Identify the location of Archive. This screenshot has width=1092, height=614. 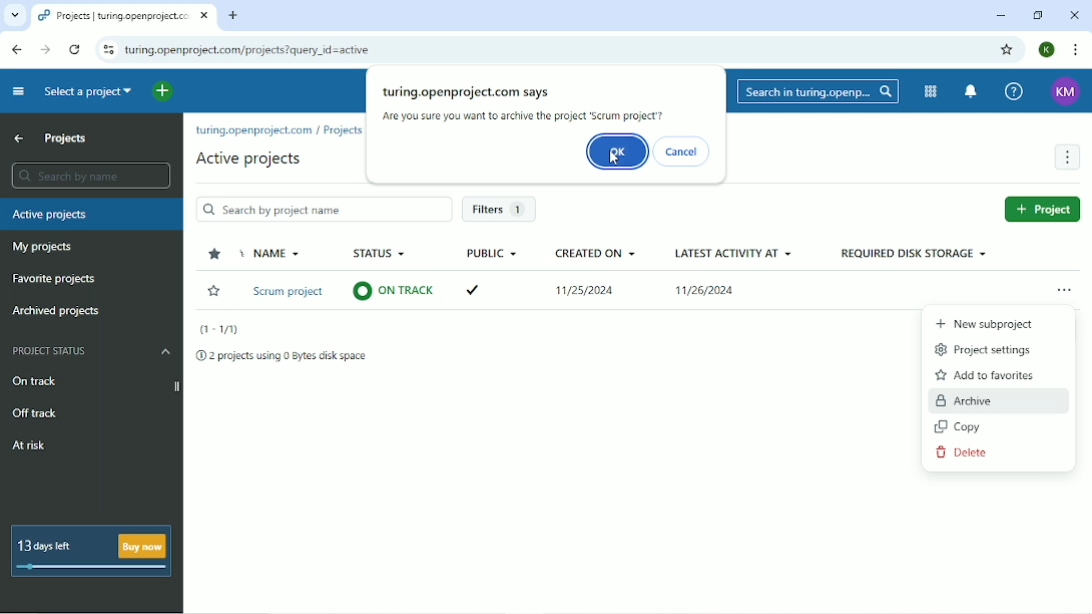
(972, 400).